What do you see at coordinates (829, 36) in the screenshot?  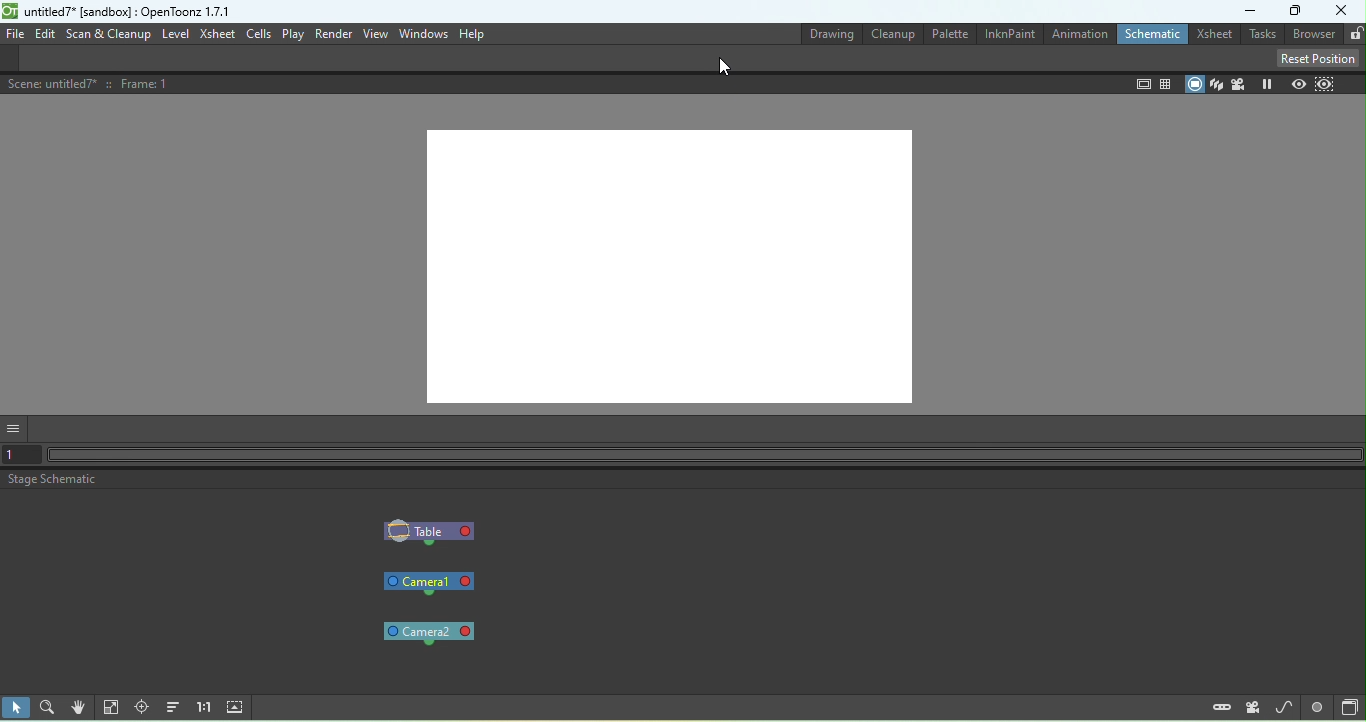 I see `Drawing` at bounding box center [829, 36].